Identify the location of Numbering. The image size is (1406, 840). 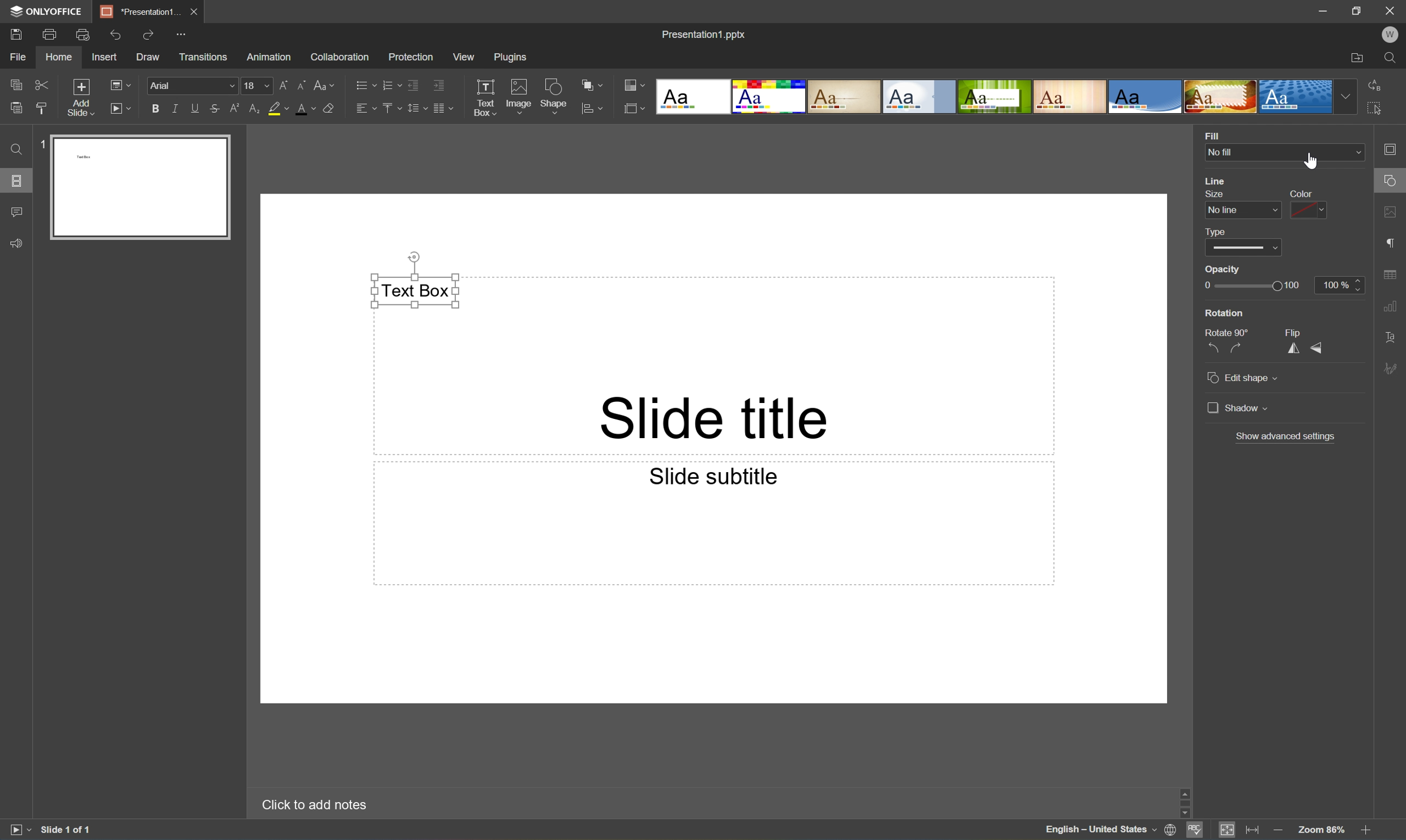
(387, 84).